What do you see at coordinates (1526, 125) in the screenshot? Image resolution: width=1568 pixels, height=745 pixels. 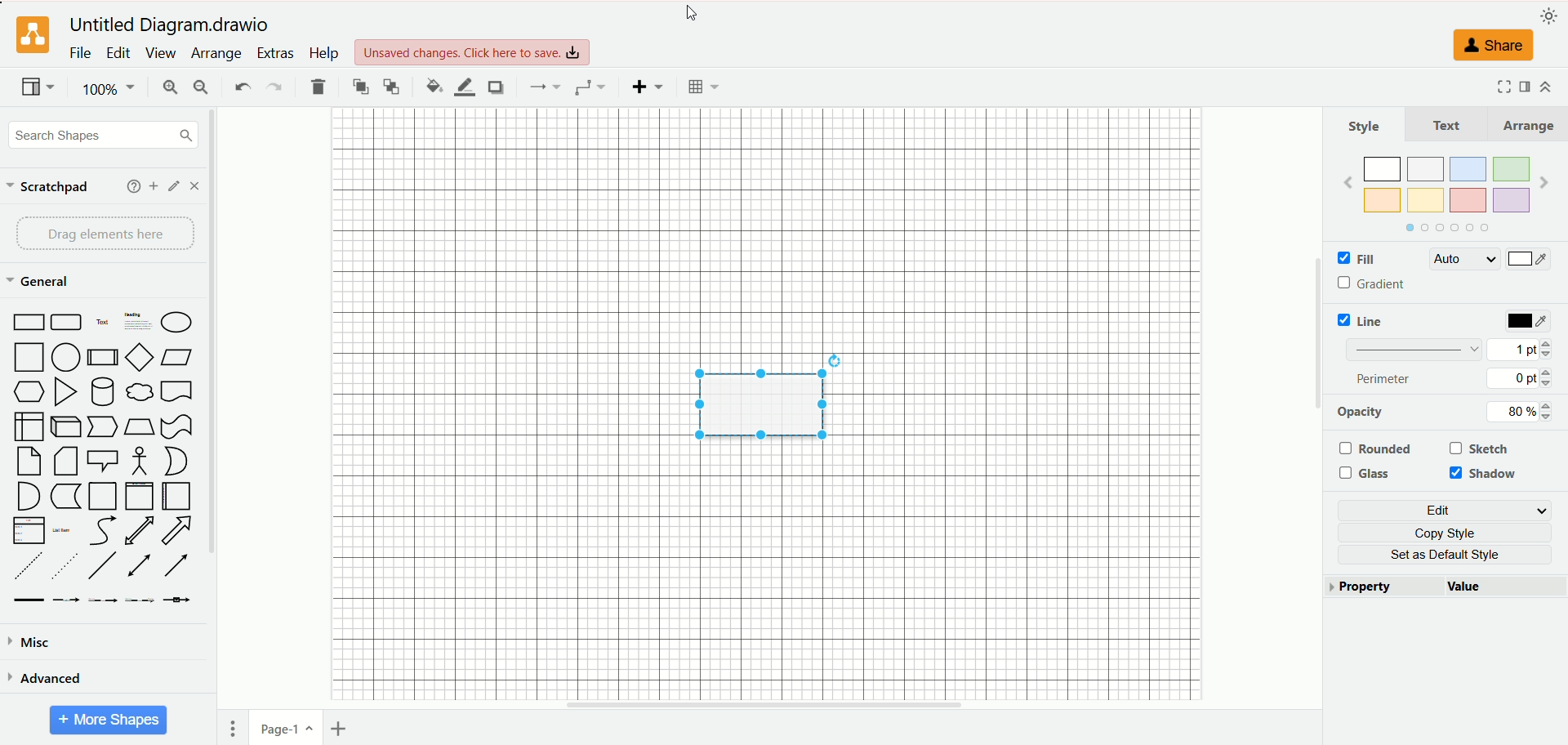 I see `arrange` at bounding box center [1526, 125].